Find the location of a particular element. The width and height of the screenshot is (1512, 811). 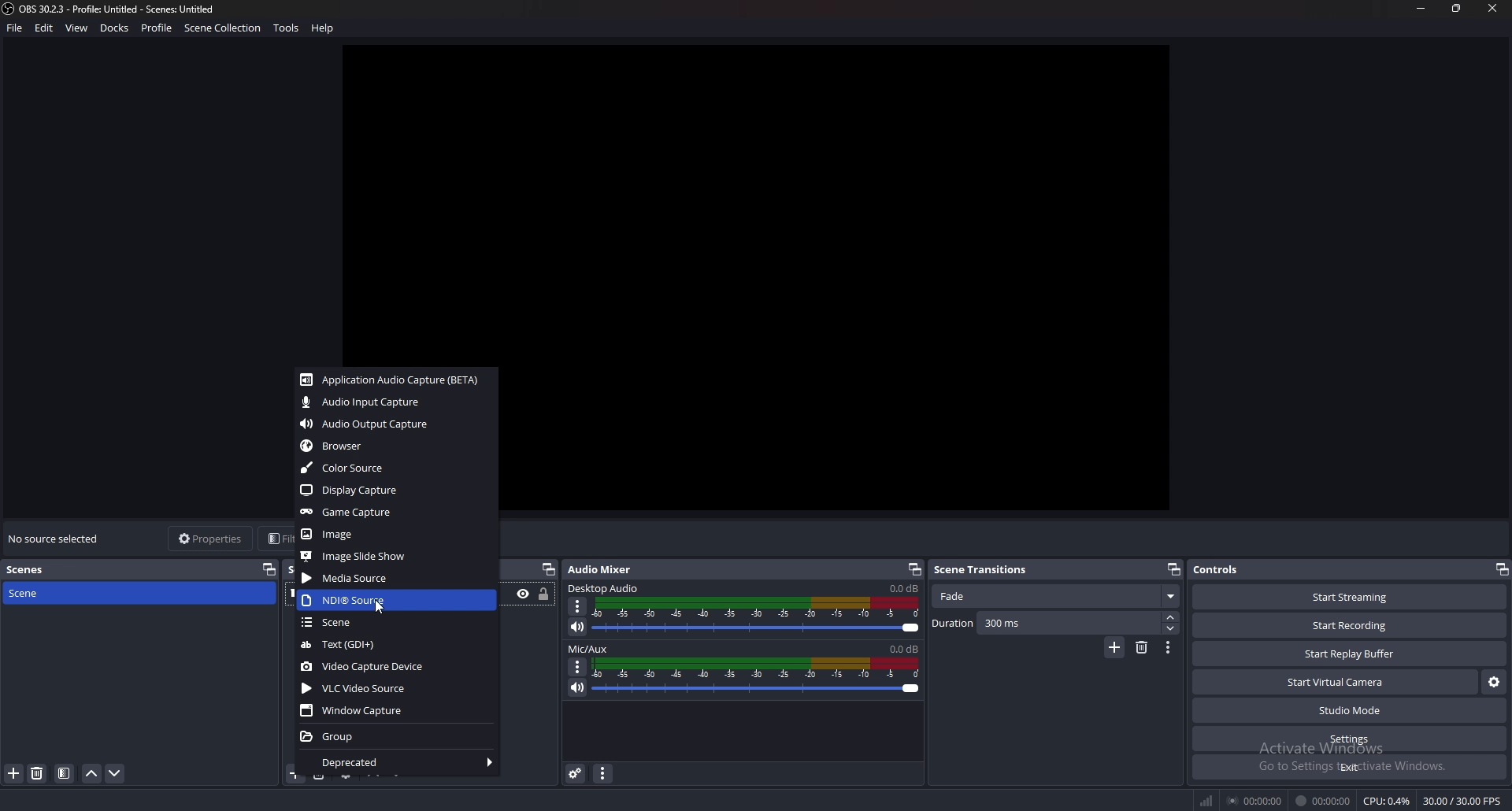

start streaming is located at coordinates (1350, 598).